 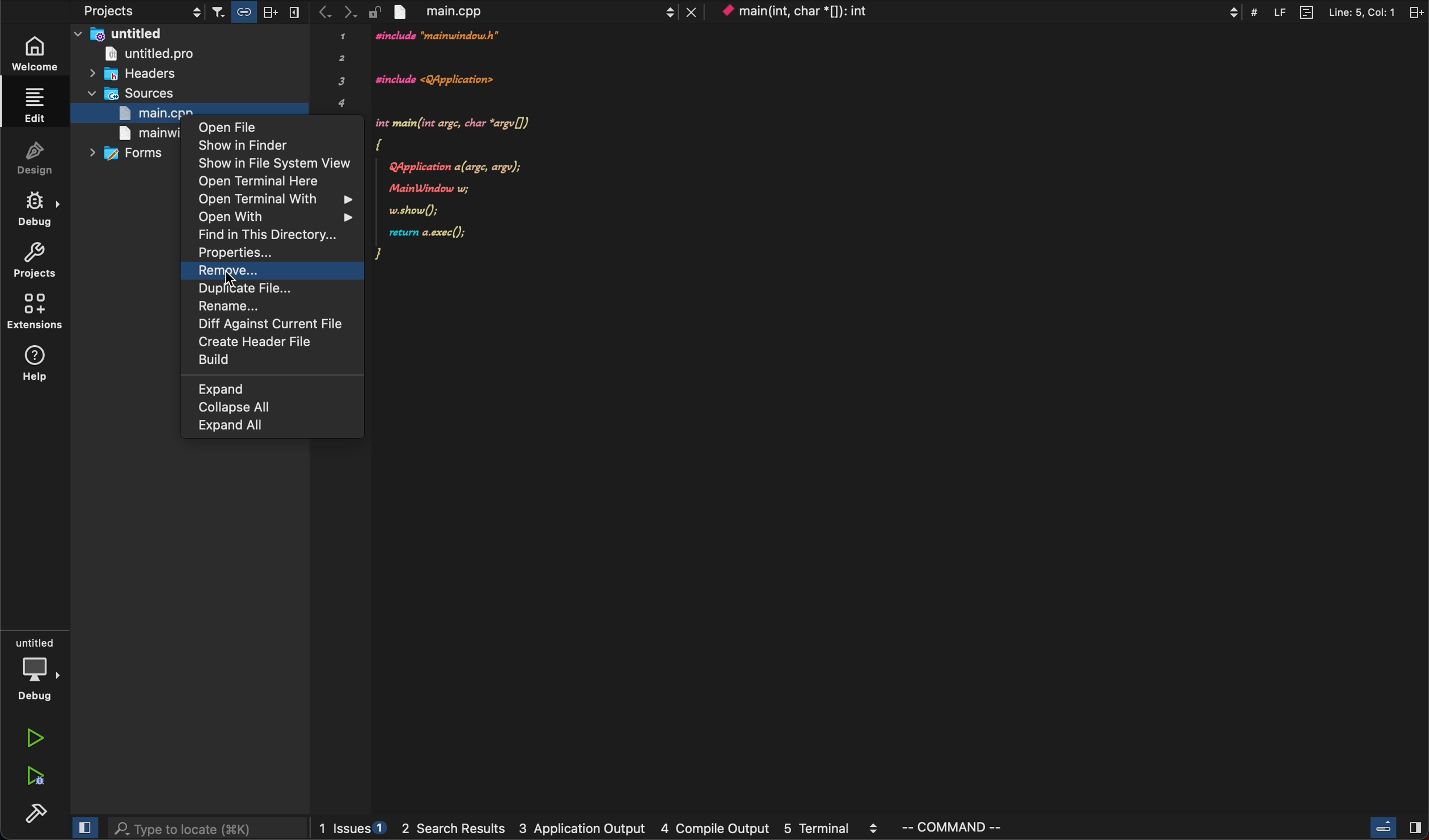 What do you see at coordinates (264, 343) in the screenshot?
I see `create` at bounding box center [264, 343].